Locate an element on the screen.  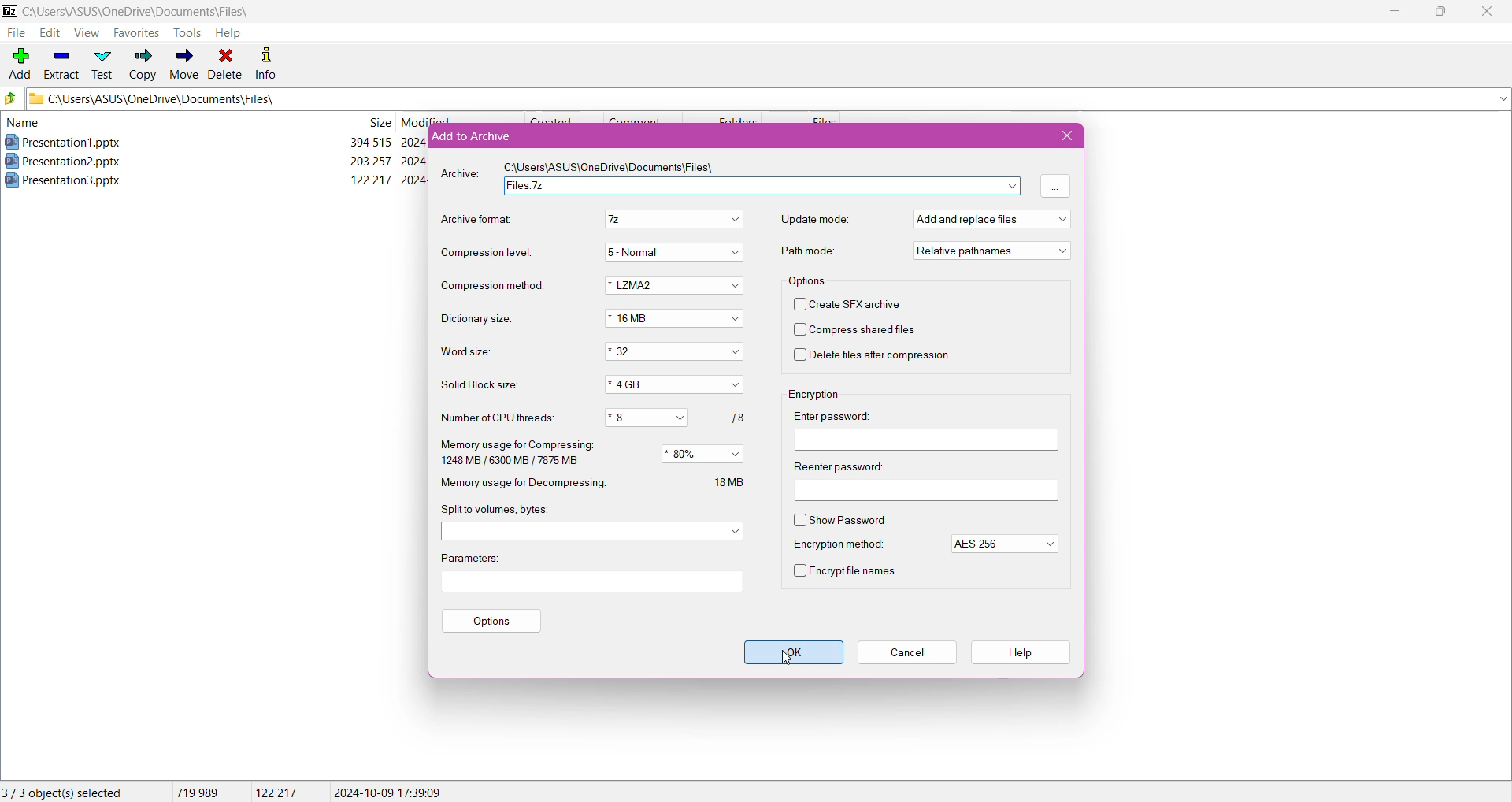
Help is located at coordinates (1023, 652).